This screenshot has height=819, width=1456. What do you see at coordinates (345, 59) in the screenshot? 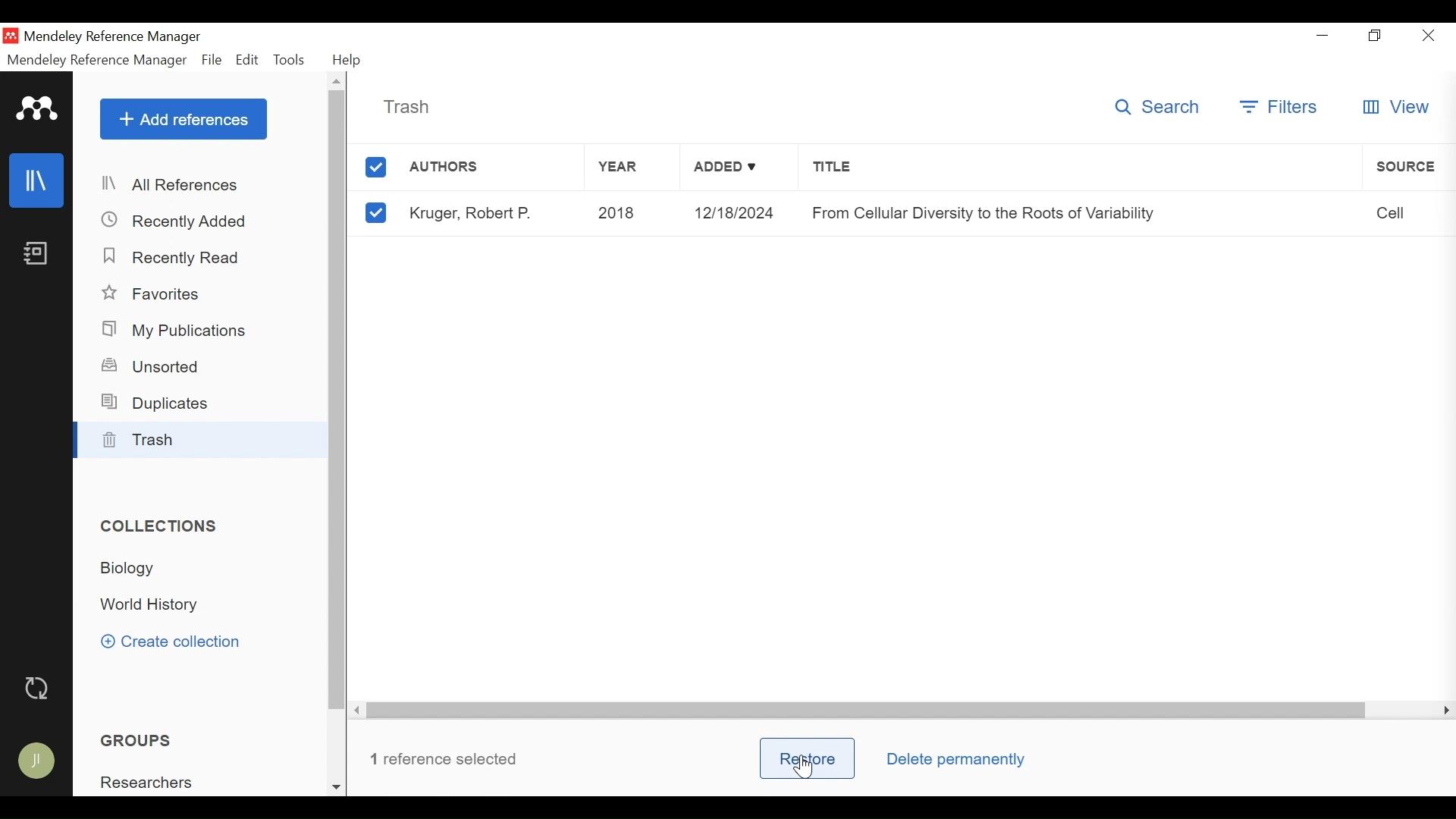
I see `Help` at bounding box center [345, 59].